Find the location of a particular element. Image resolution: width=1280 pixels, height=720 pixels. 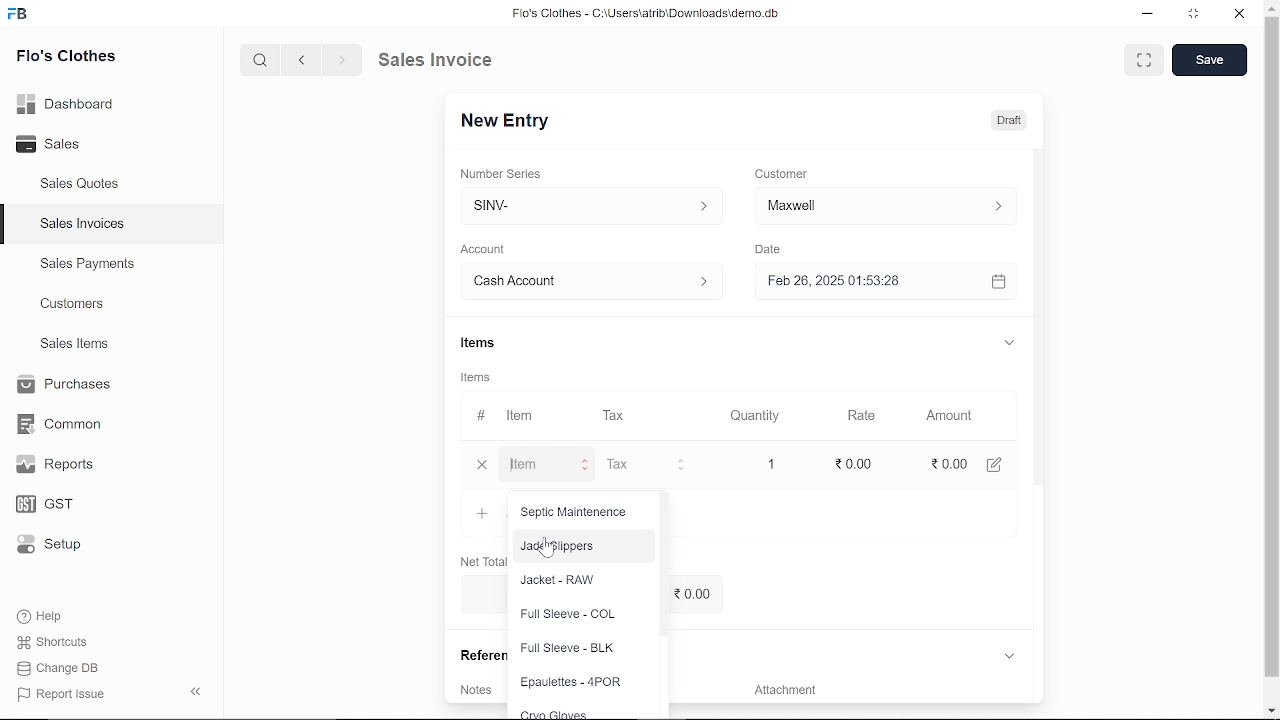

GST is located at coordinates (62, 505).